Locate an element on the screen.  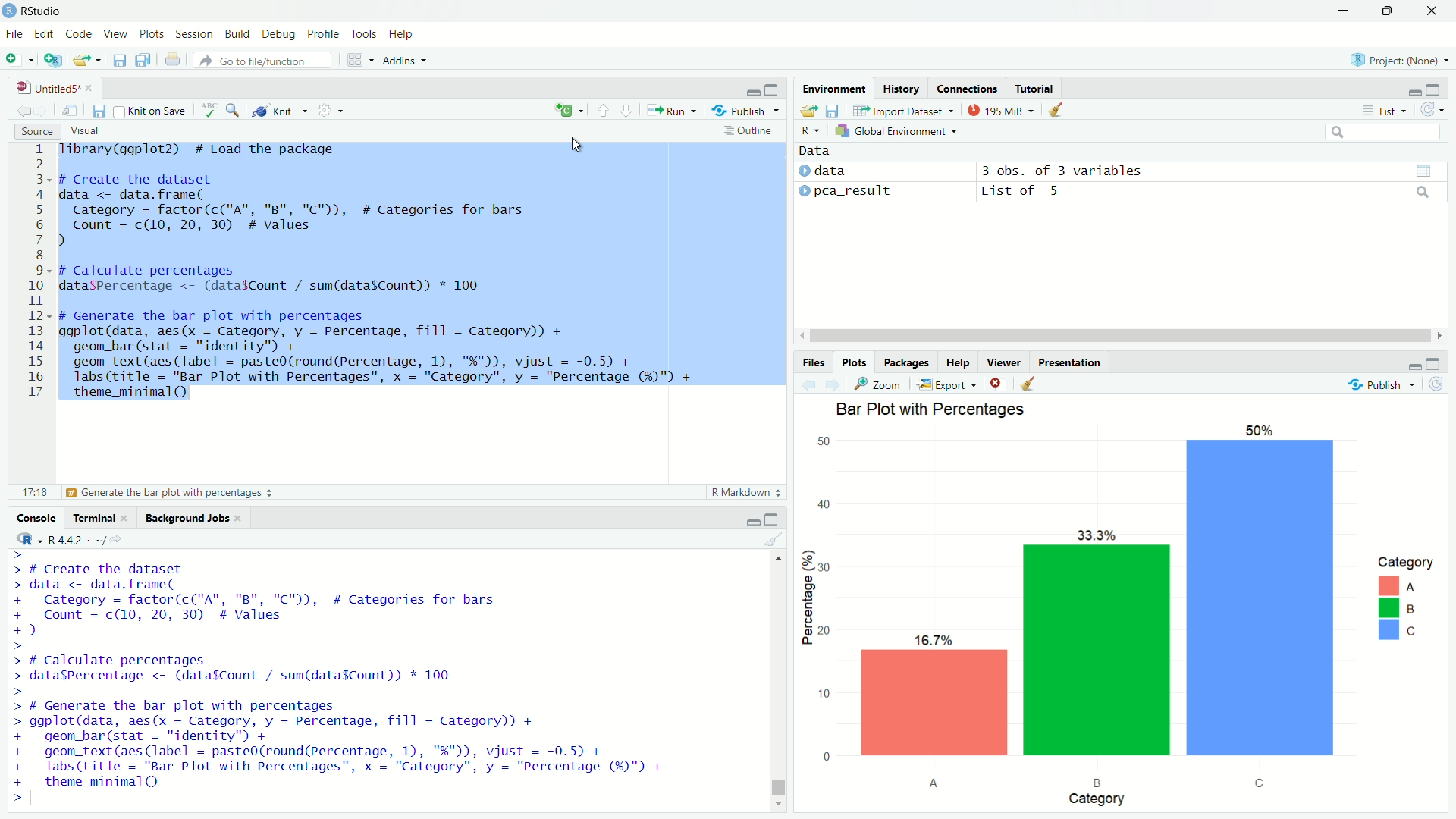
lines is located at coordinates (38, 272).